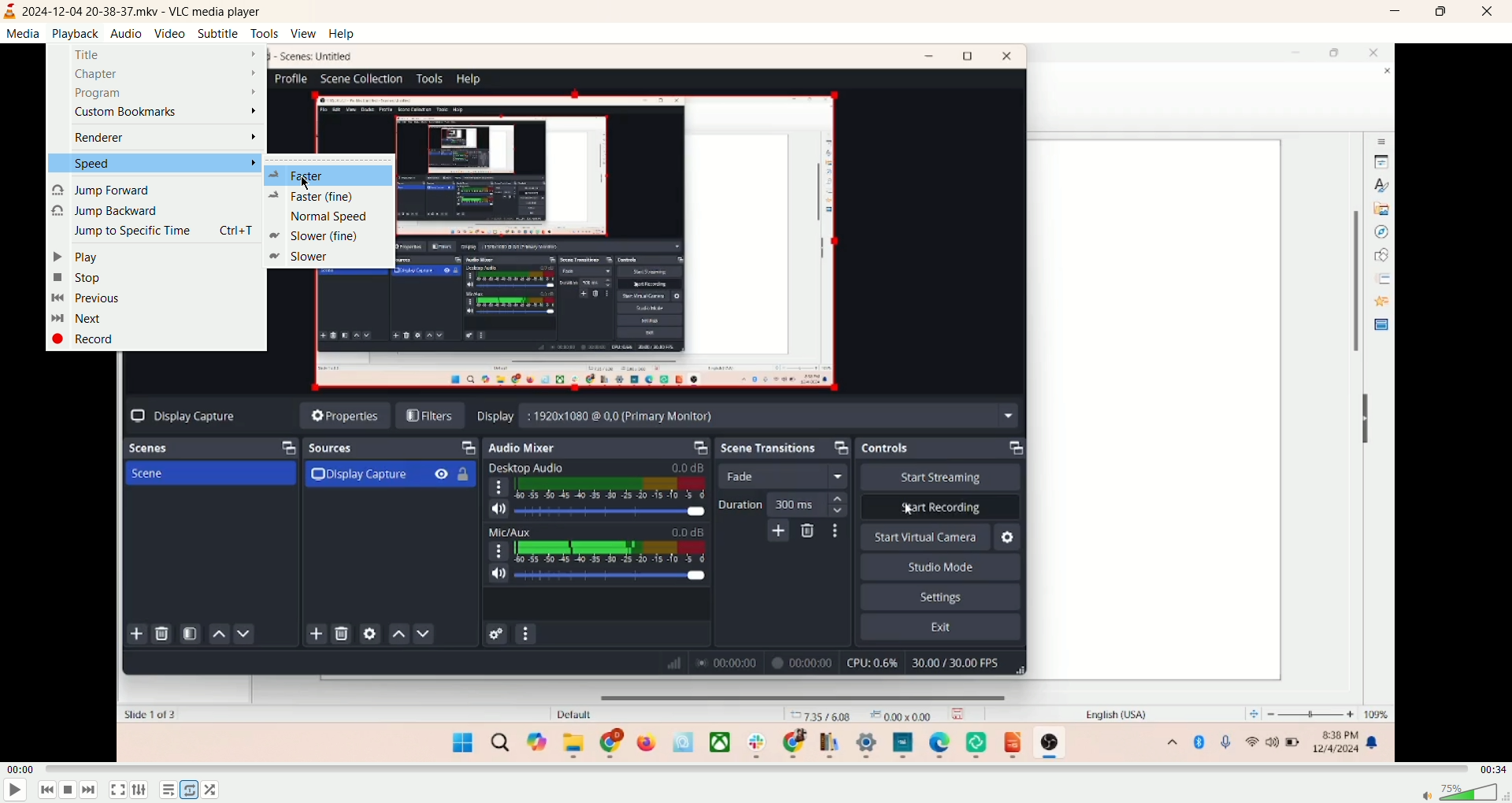 The height and width of the screenshot is (803, 1512). What do you see at coordinates (147, 10) in the screenshot?
I see `2024-12-04 20-38-37.mkv - VLC media player` at bounding box center [147, 10].